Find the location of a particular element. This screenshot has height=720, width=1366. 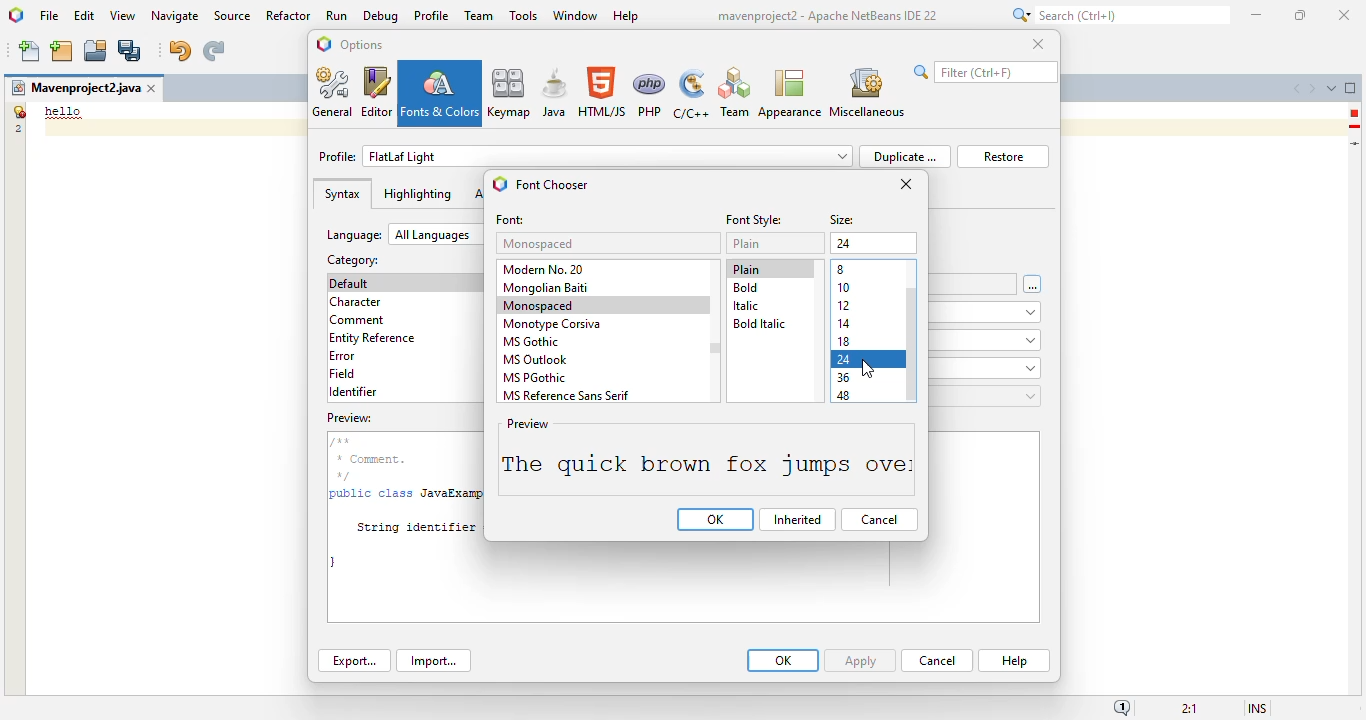

refactor is located at coordinates (289, 15).